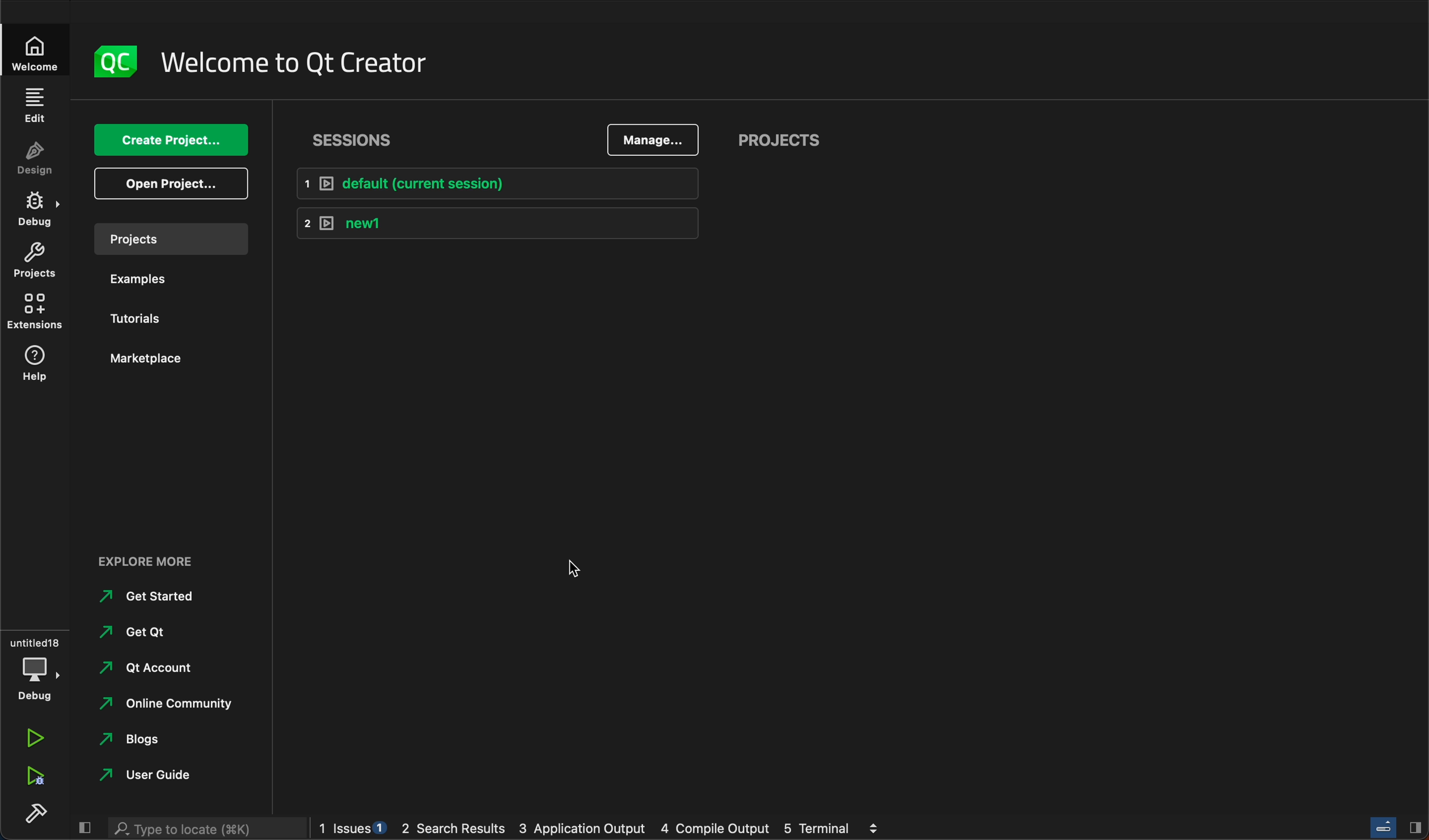  I want to click on create, so click(171, 137).